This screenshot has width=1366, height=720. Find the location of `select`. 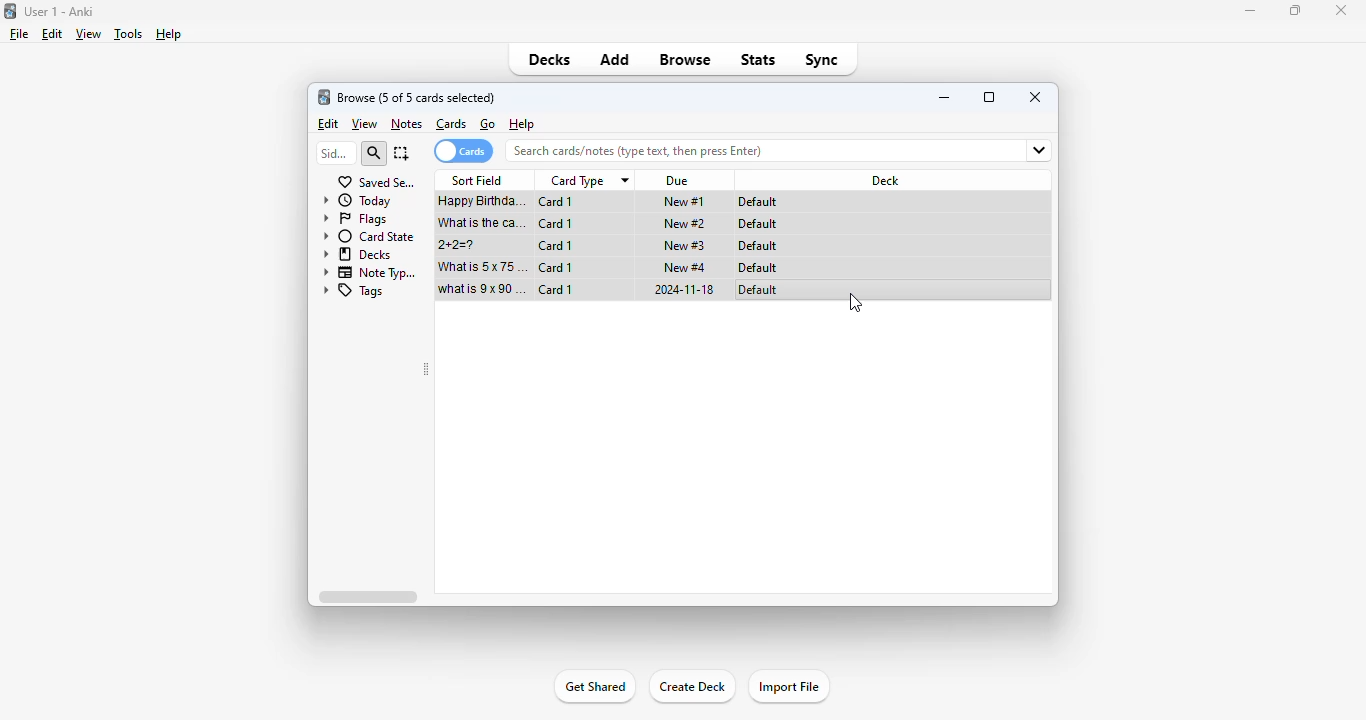

select is located at coordinates (402, 153).